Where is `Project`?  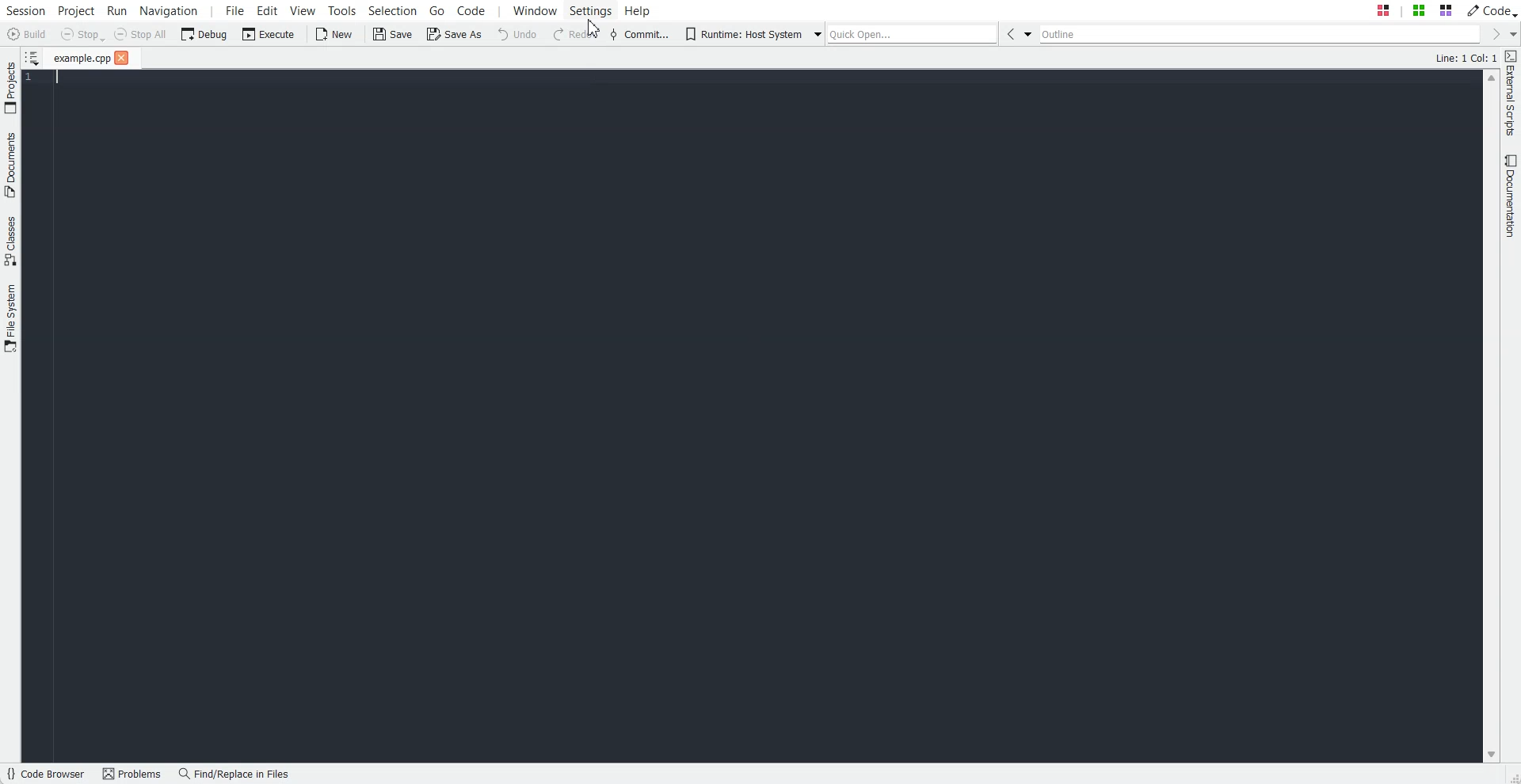 Project is located at coordinates (75, 10).